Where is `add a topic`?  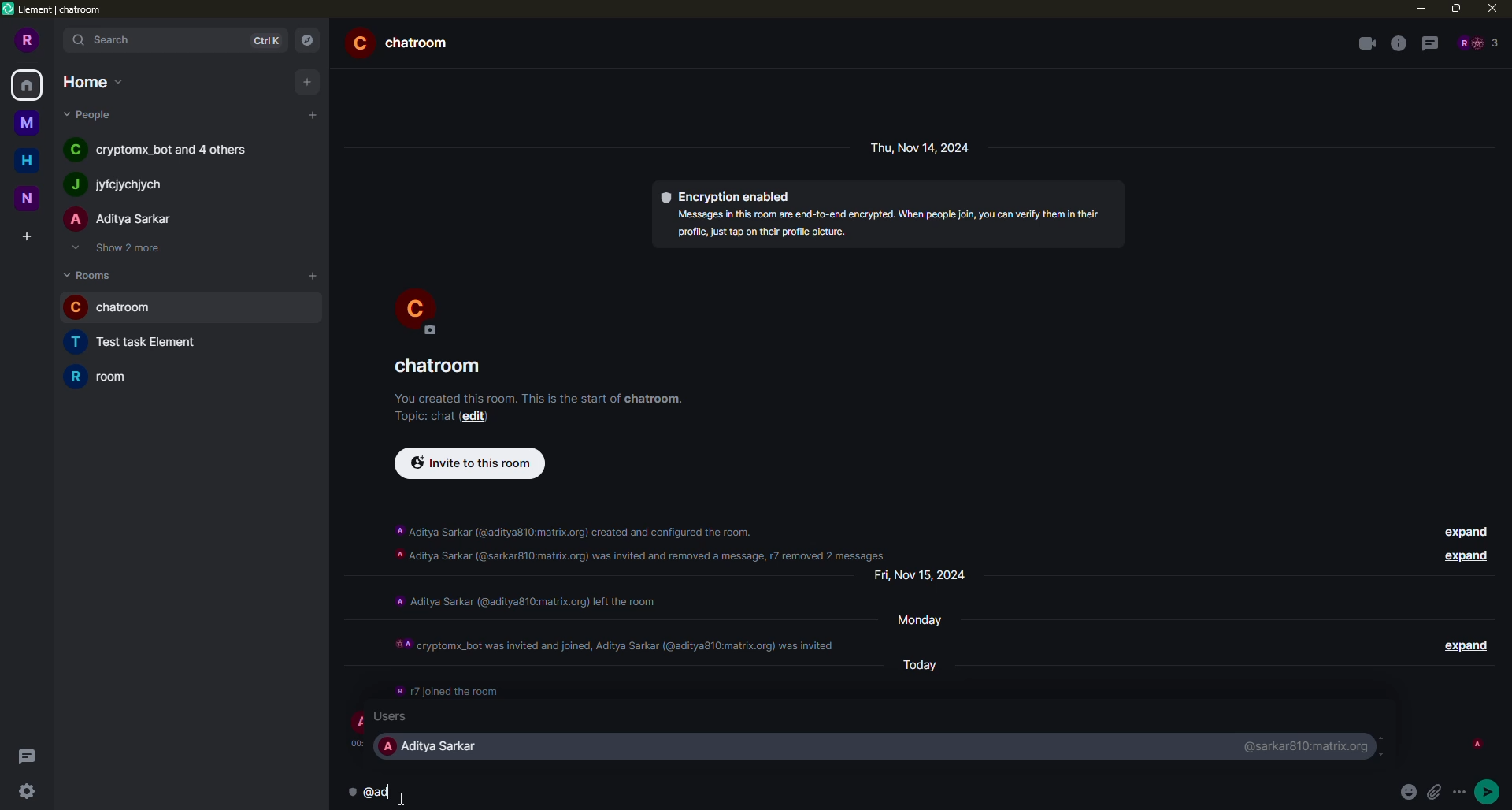 add a topic is located at coordinates (419, 415).